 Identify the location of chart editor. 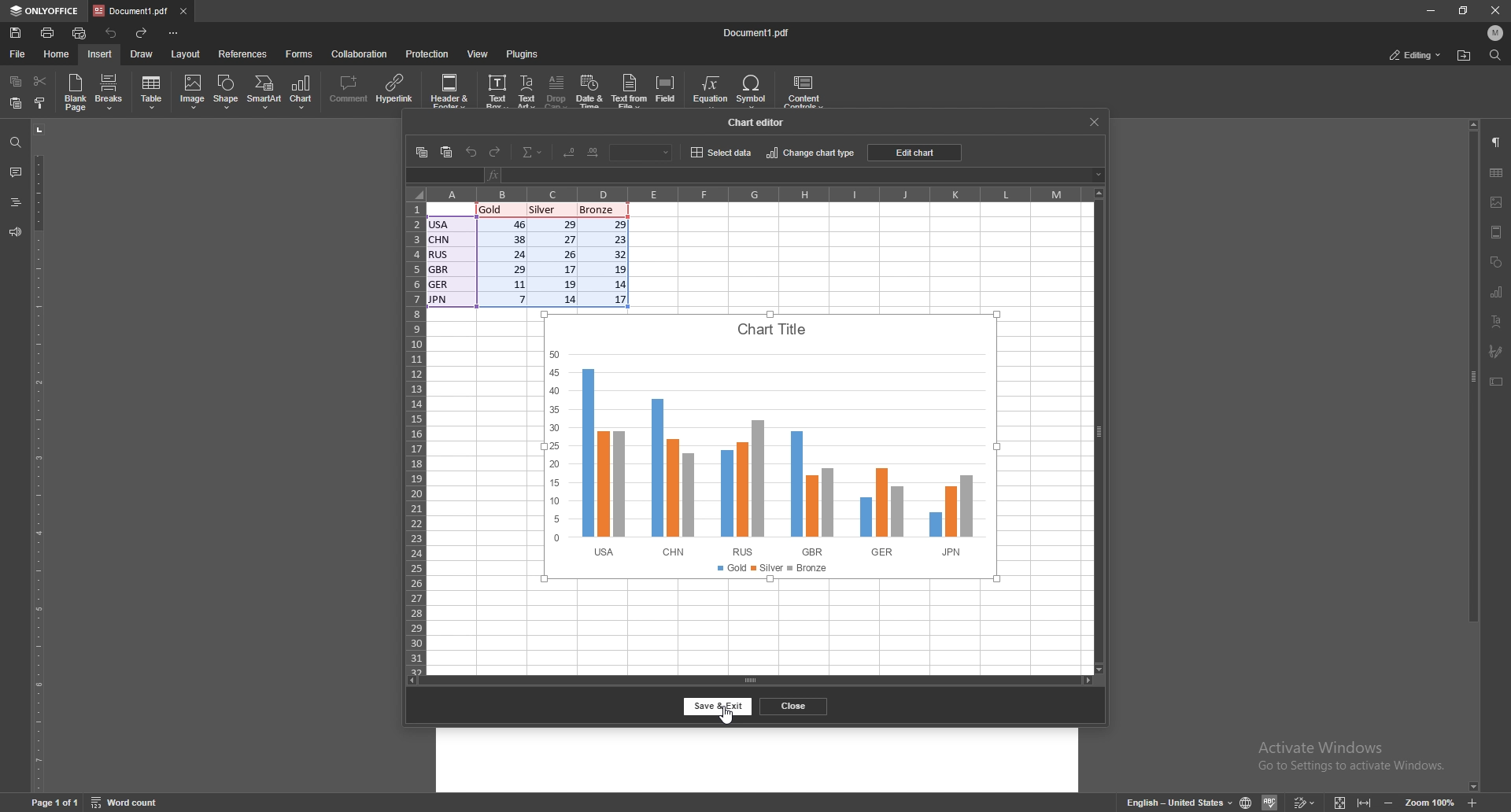
(761, 121).